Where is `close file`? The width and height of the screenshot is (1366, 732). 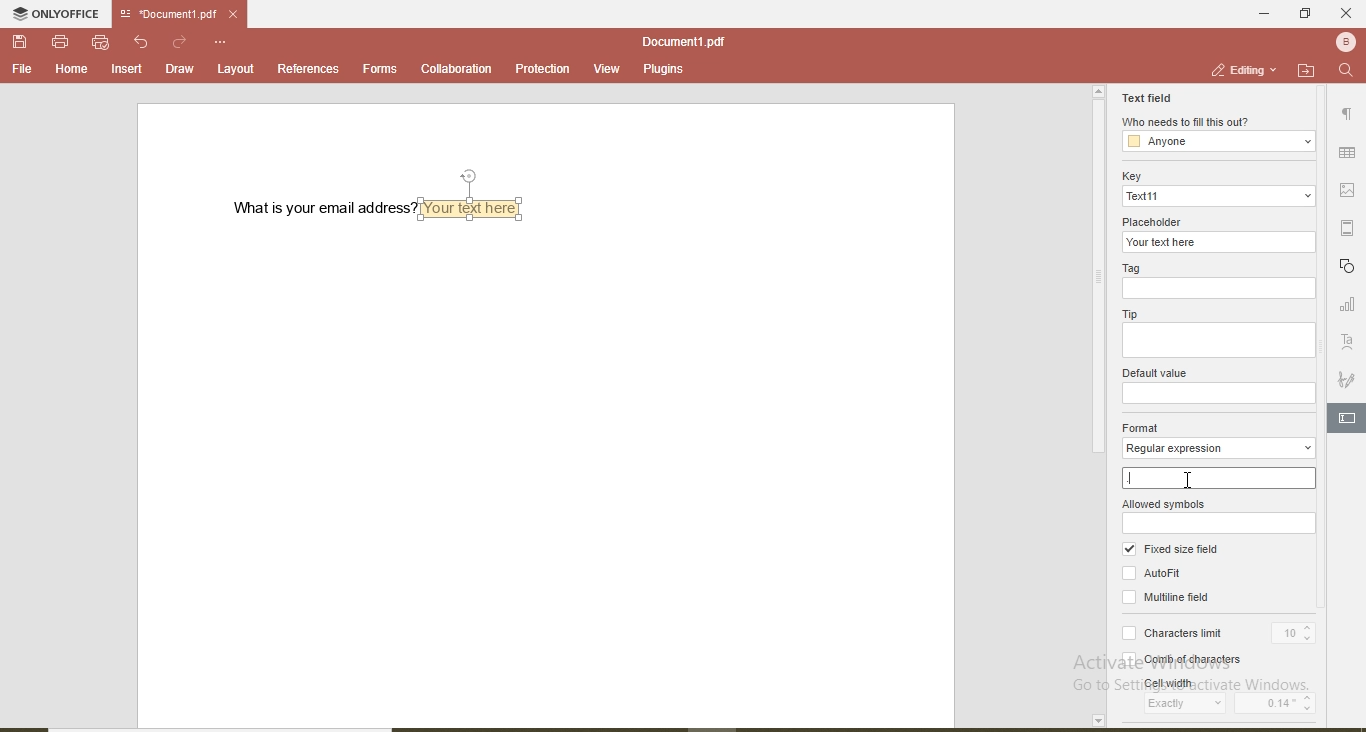
close file is located at coordinates (240, 14).